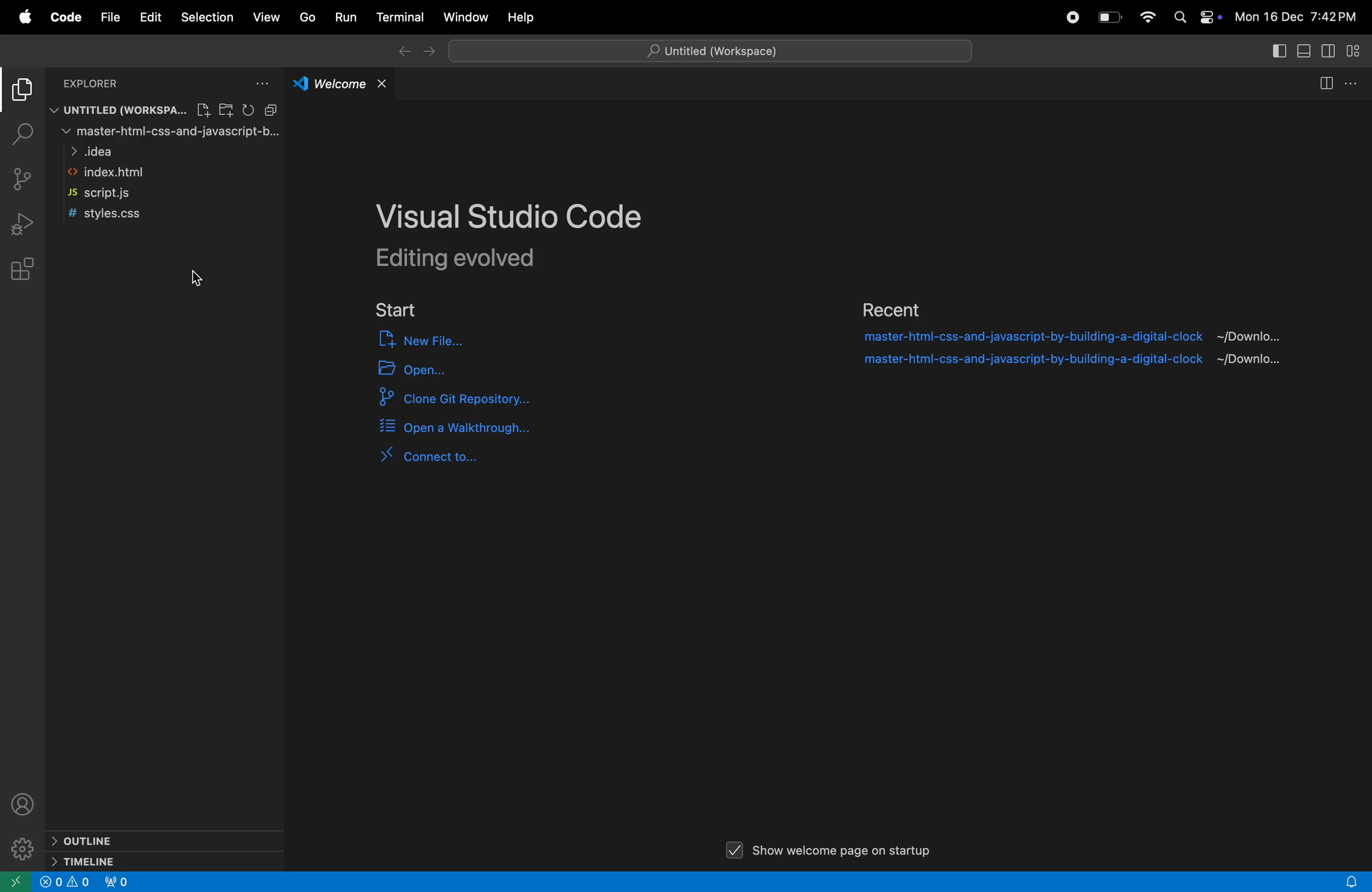  I want to click on vs code, so click(513, 216).